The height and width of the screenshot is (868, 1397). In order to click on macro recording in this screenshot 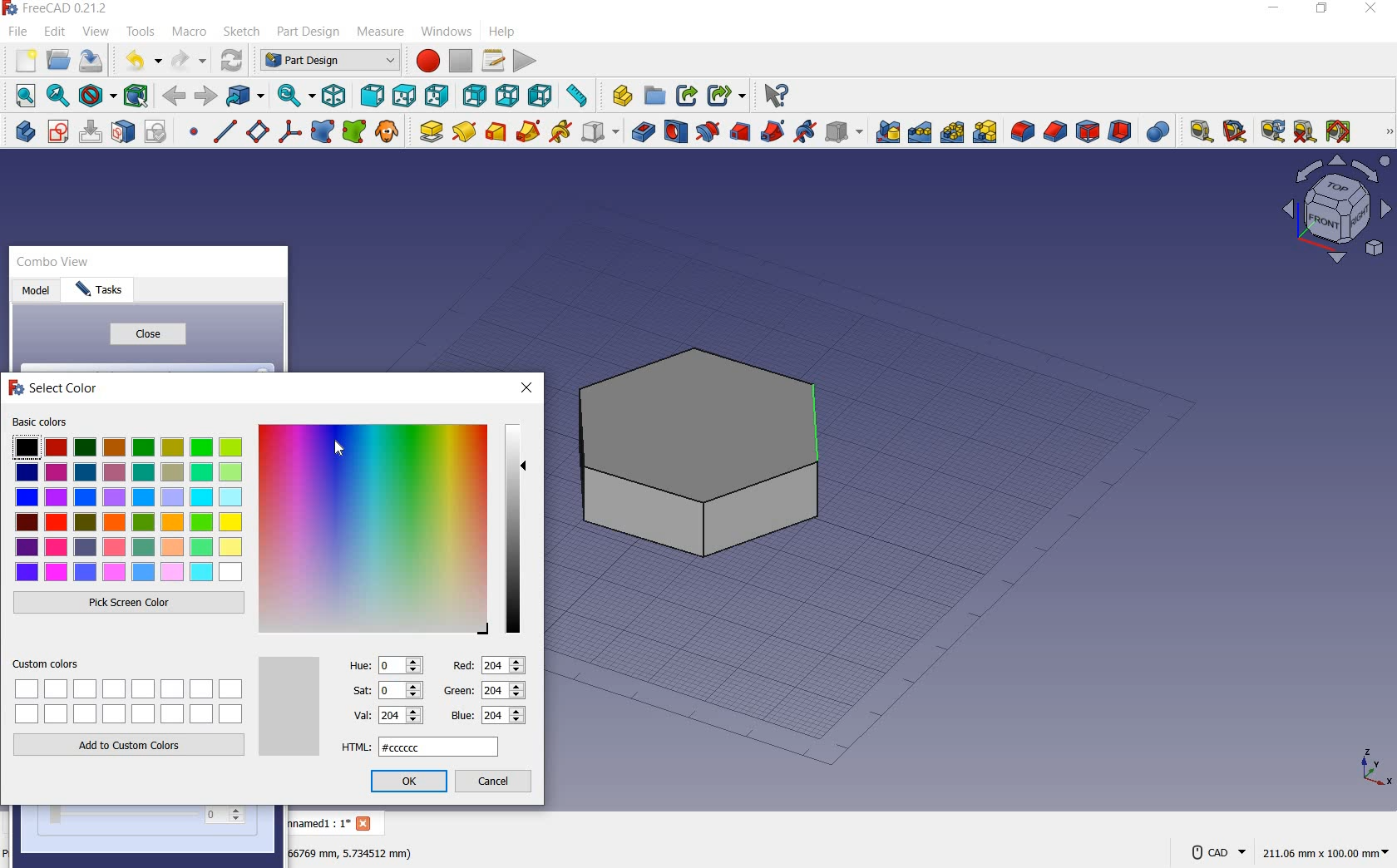, I will do `click(425, 62)`.